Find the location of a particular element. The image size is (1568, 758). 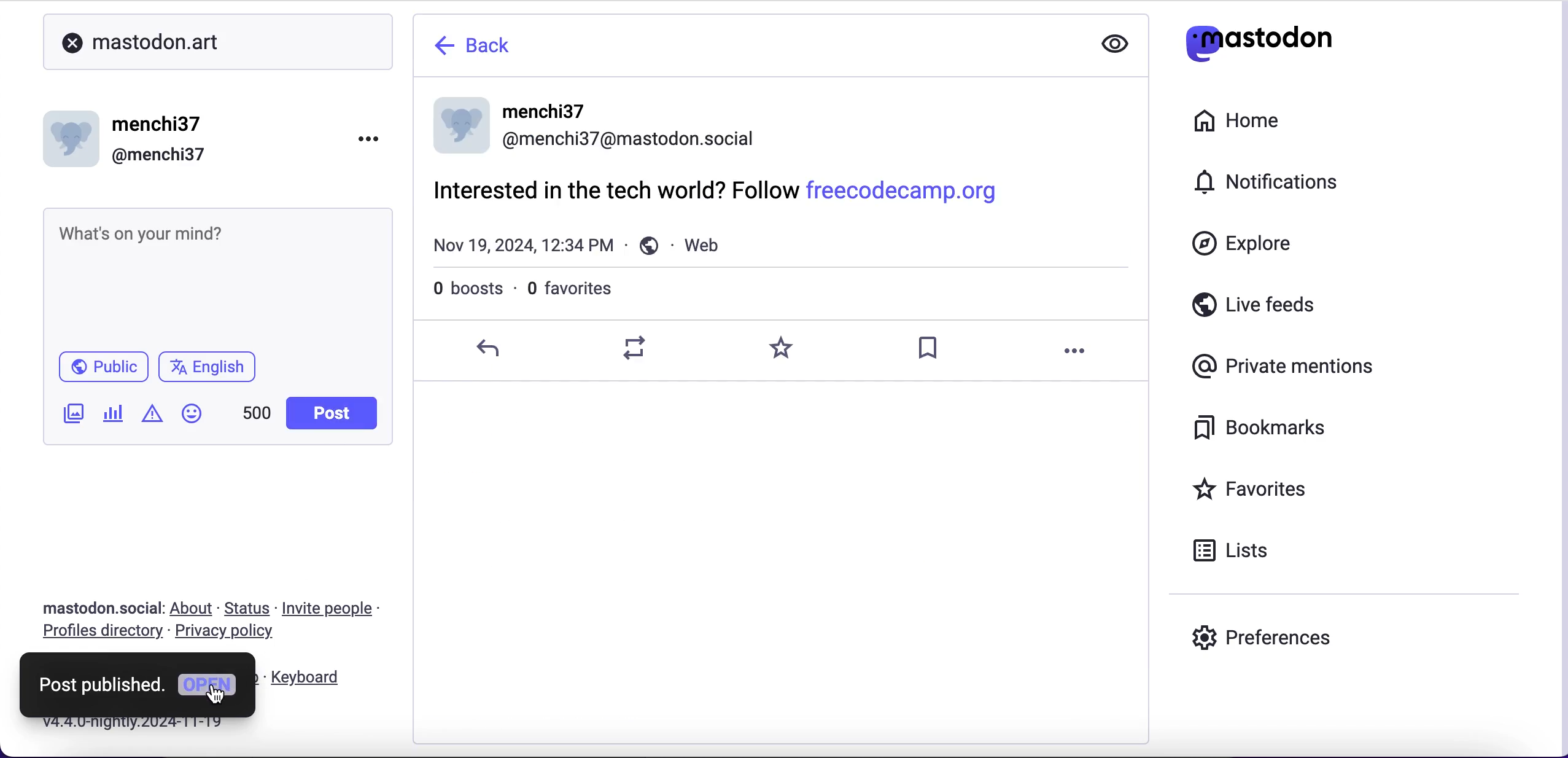

user is located at coordinates (132, 137).